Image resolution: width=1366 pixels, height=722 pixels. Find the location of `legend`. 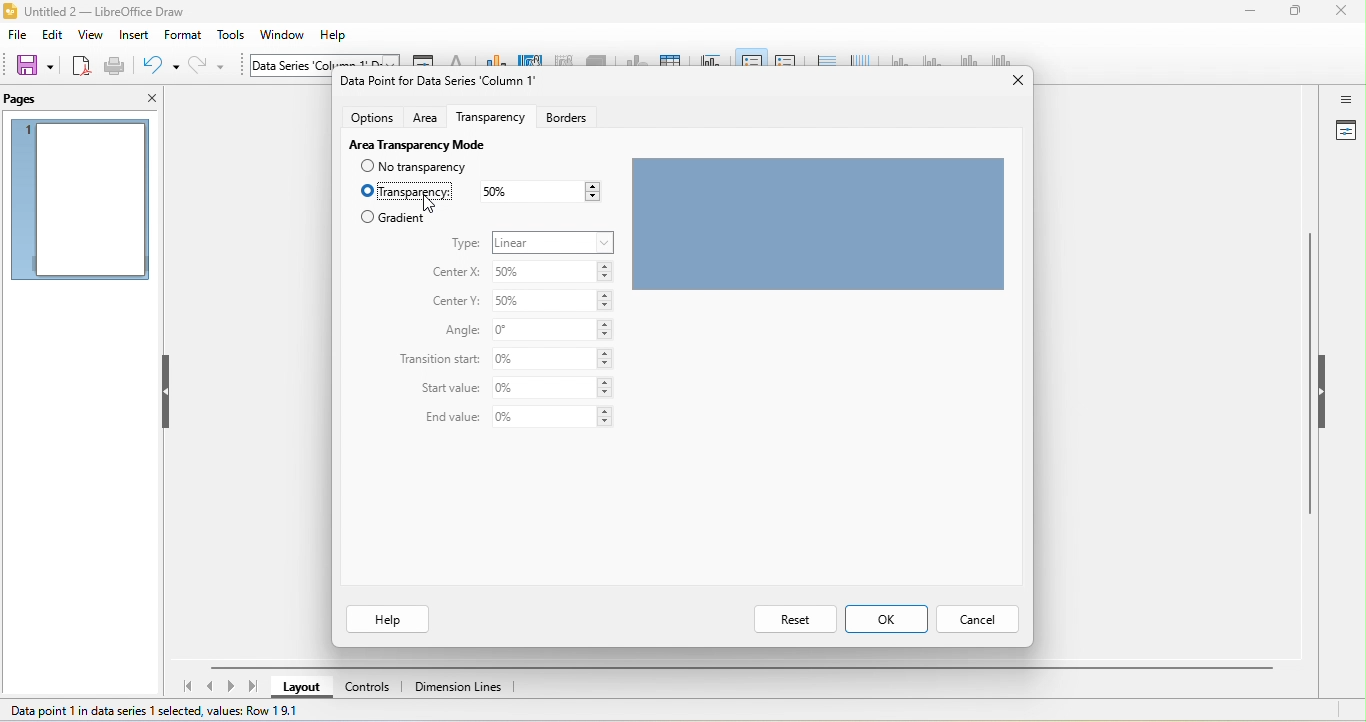

legend is located at coordinates (786, 57).